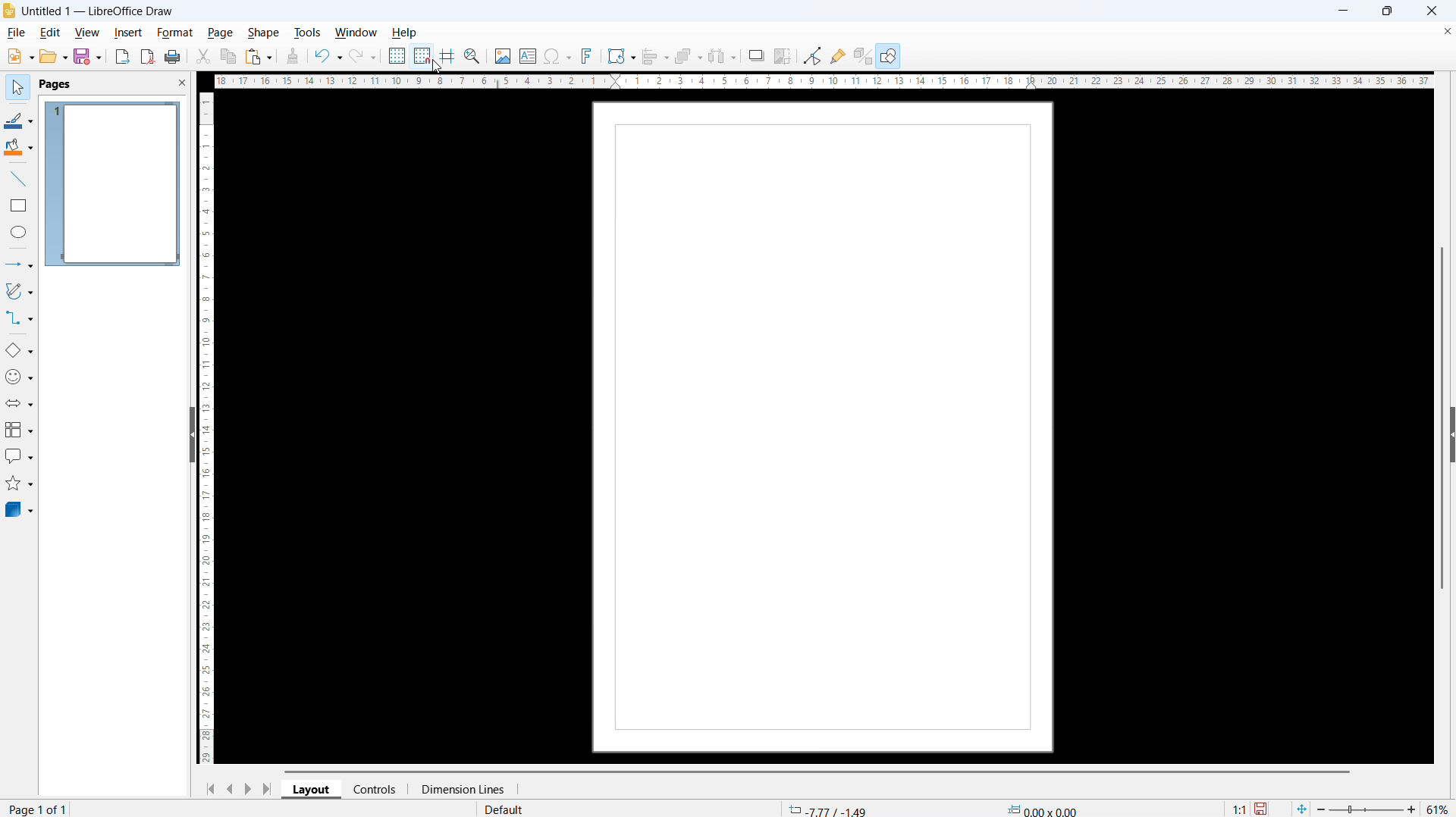  Describe the element at coordinates (464, 790) in the screenshot. I see `dimensiopn lines` at that location.